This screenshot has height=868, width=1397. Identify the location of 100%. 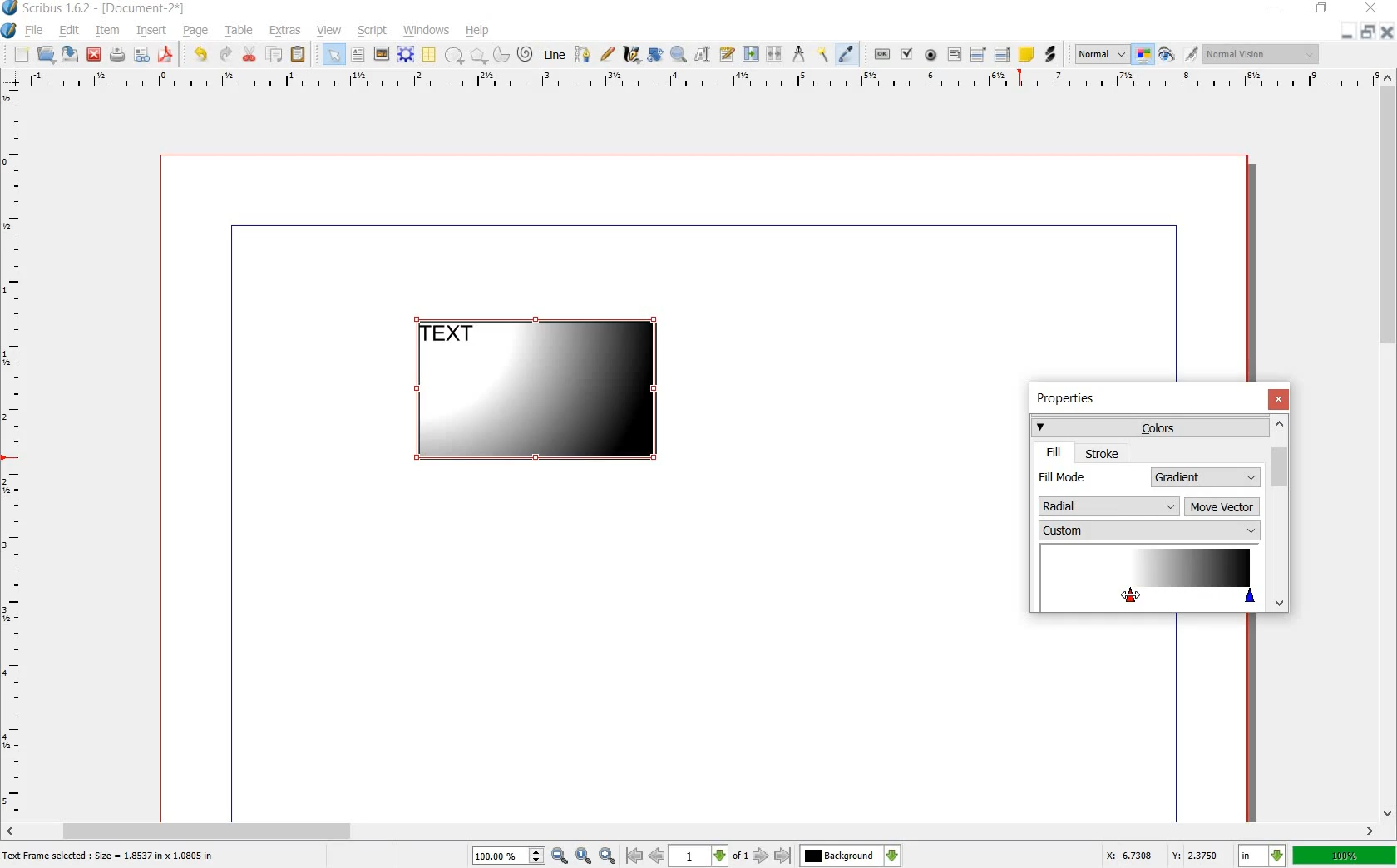
(500, 856).